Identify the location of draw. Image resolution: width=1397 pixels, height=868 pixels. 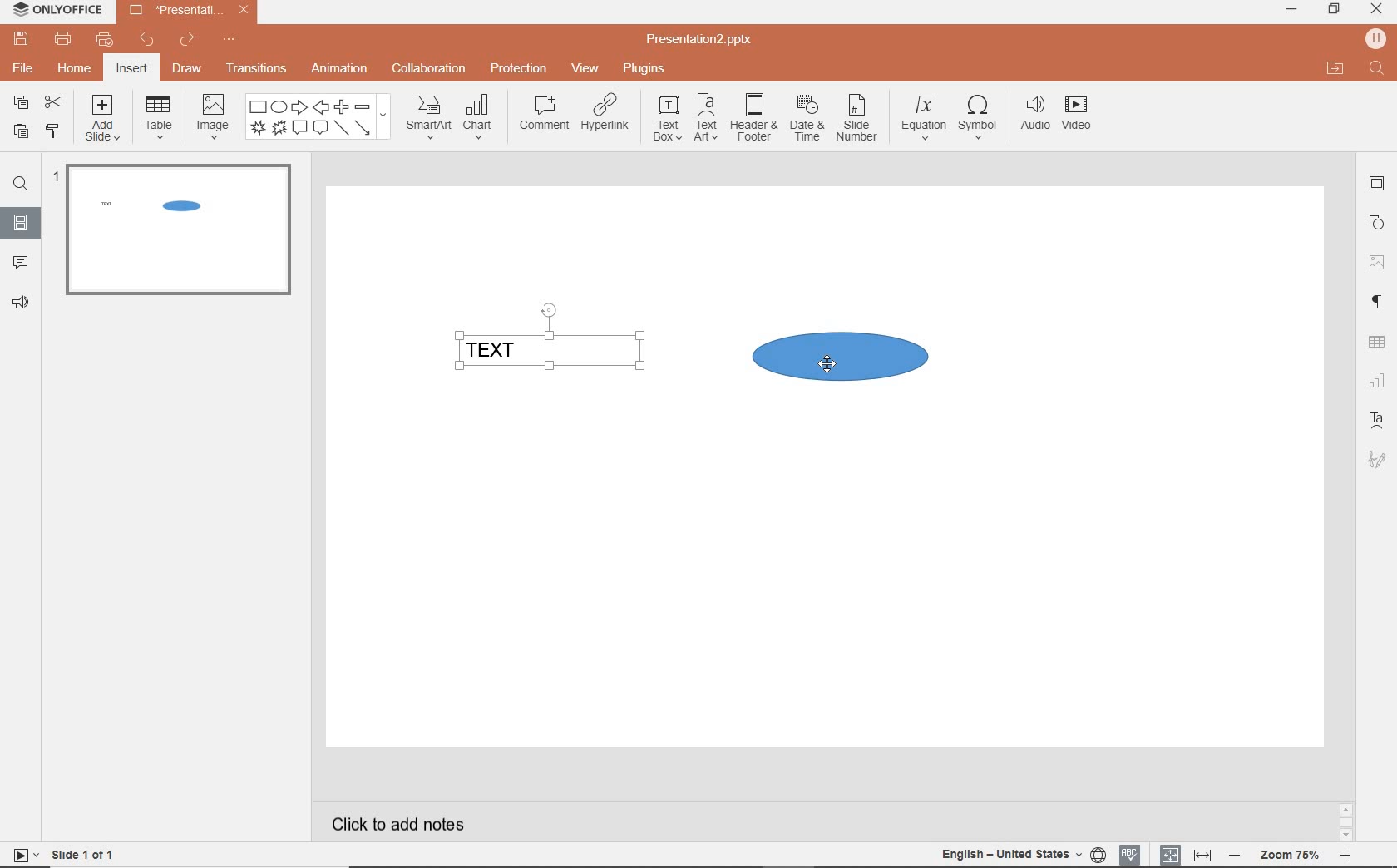
(190, 68).